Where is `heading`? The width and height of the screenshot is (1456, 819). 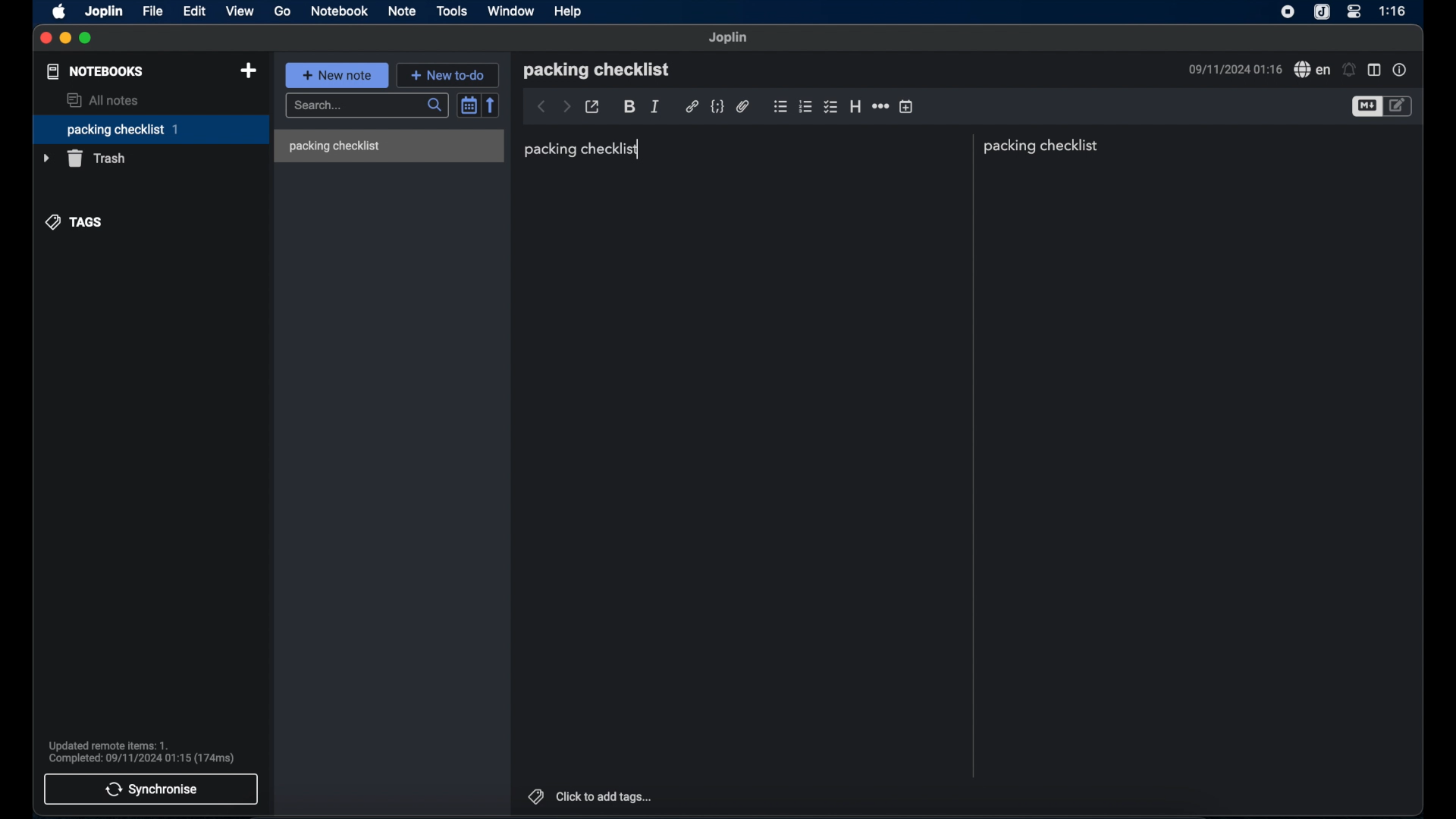 heading is located at coordinates (855, 106).